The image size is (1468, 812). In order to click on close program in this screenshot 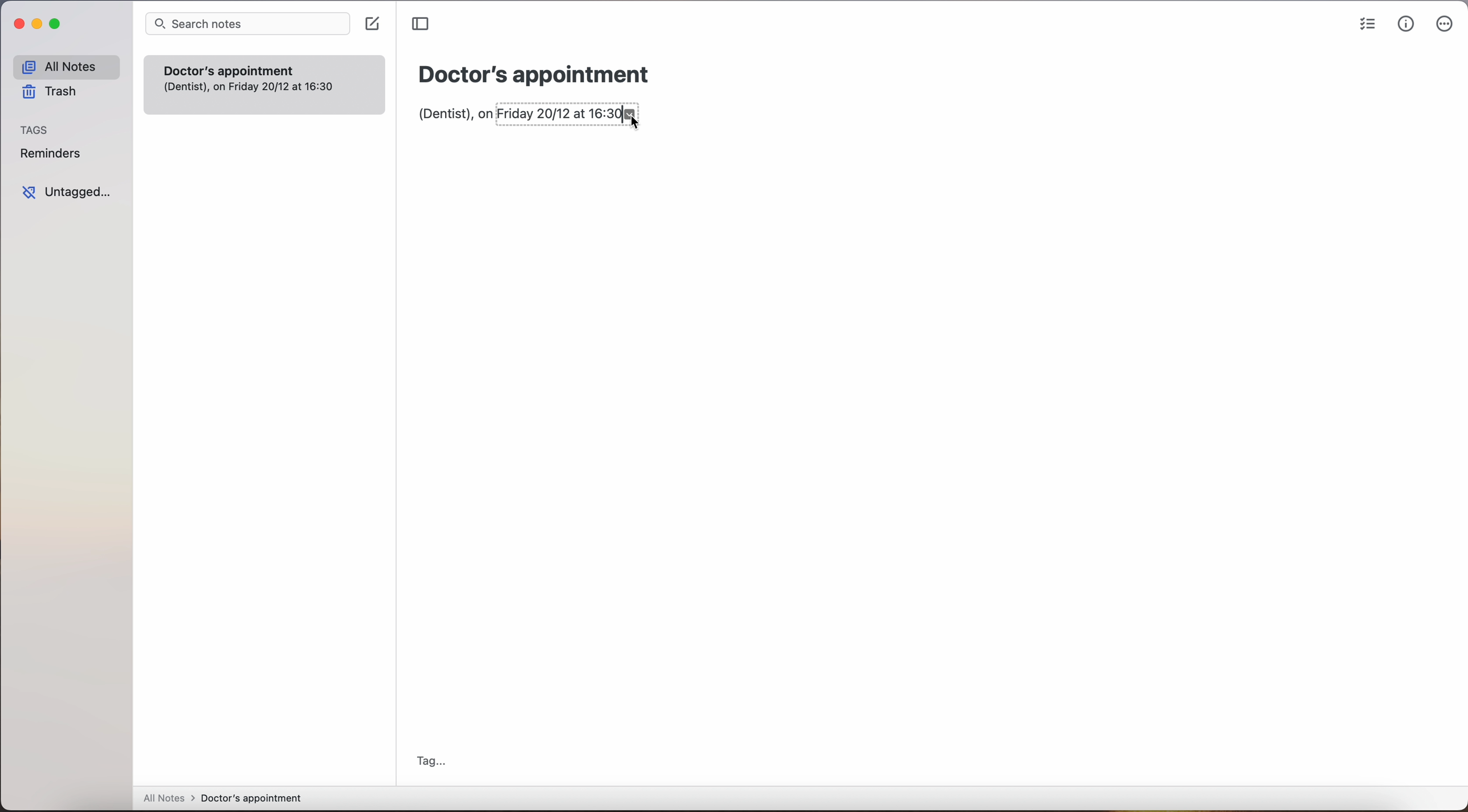, I will do `click(15, 23)`.